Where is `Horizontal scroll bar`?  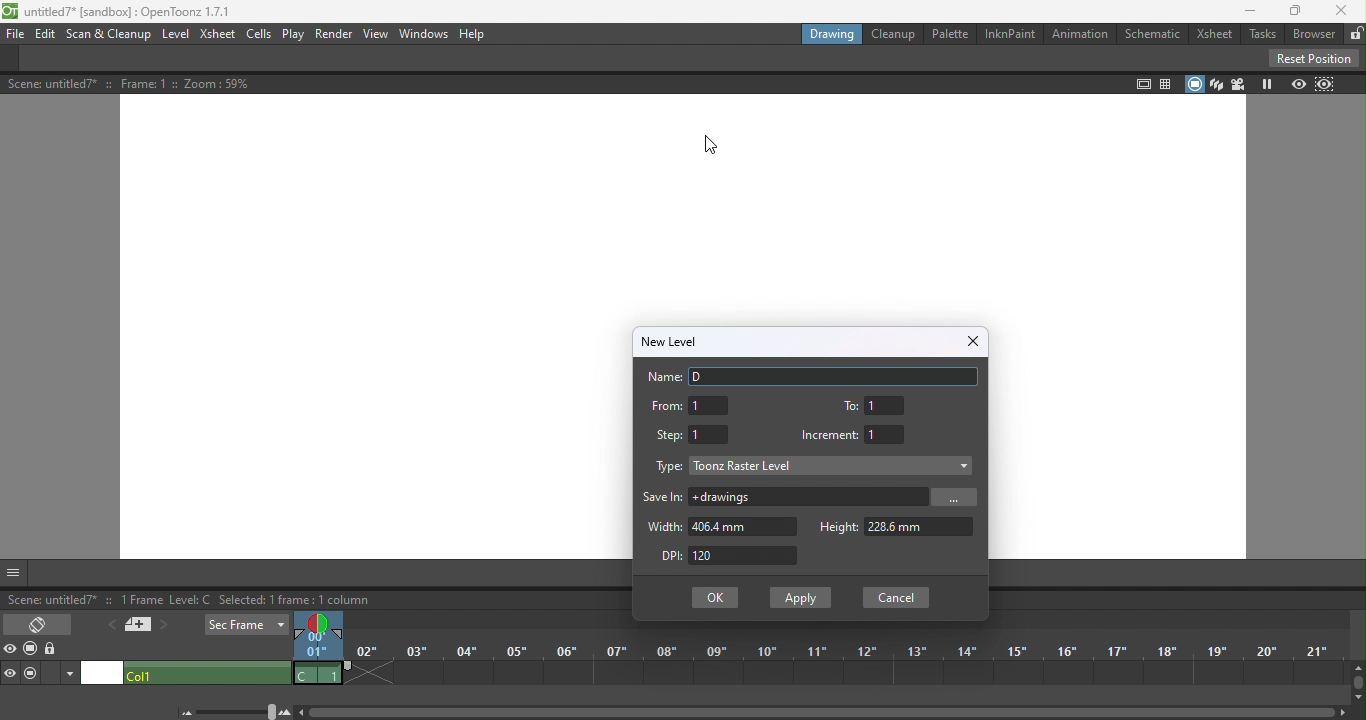 Horizontal scroll bar is located at coordinates (827, 711).